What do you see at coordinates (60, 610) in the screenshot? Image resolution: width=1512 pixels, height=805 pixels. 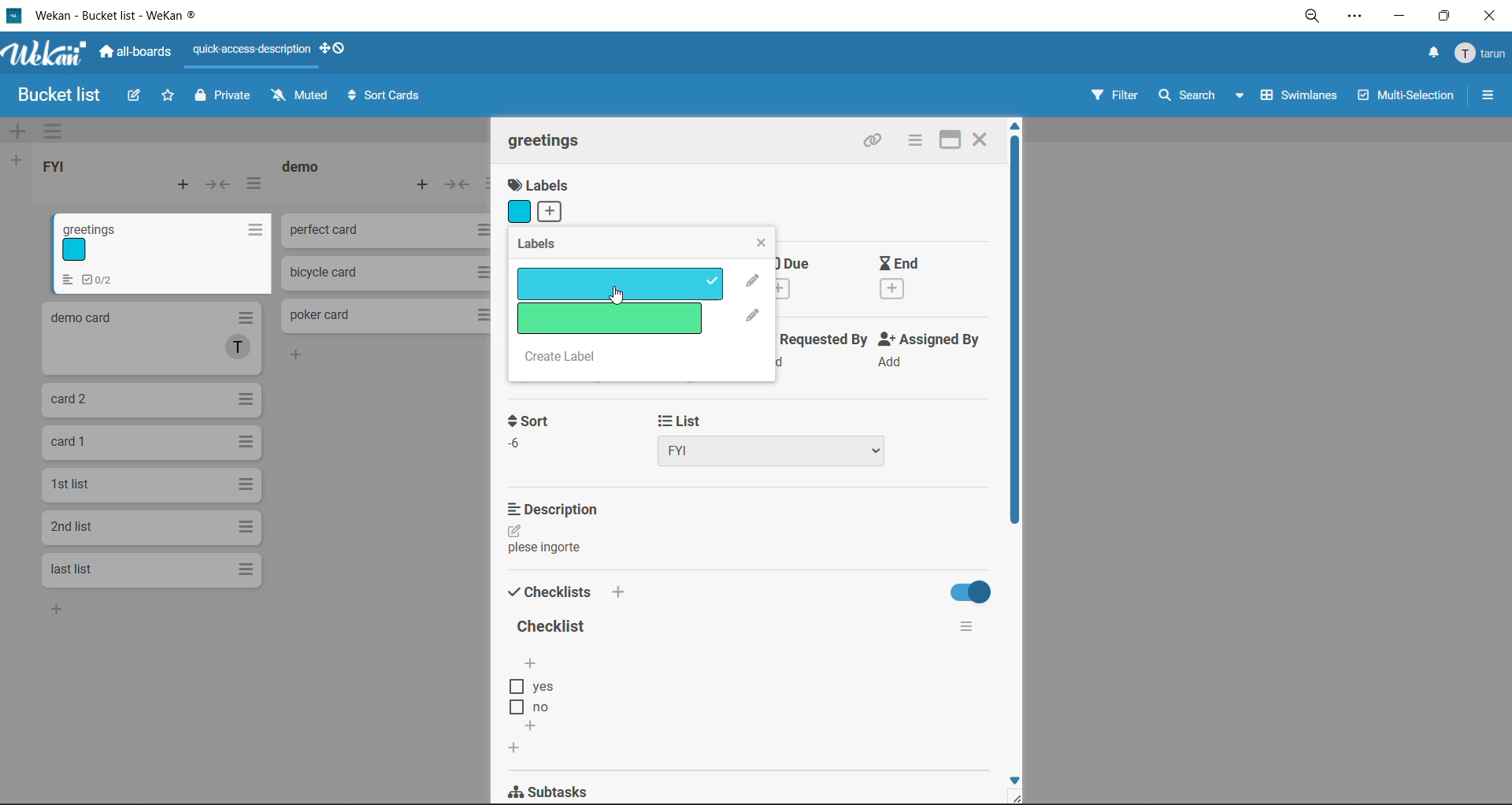 I see `add` at bounding box center [60, 610].